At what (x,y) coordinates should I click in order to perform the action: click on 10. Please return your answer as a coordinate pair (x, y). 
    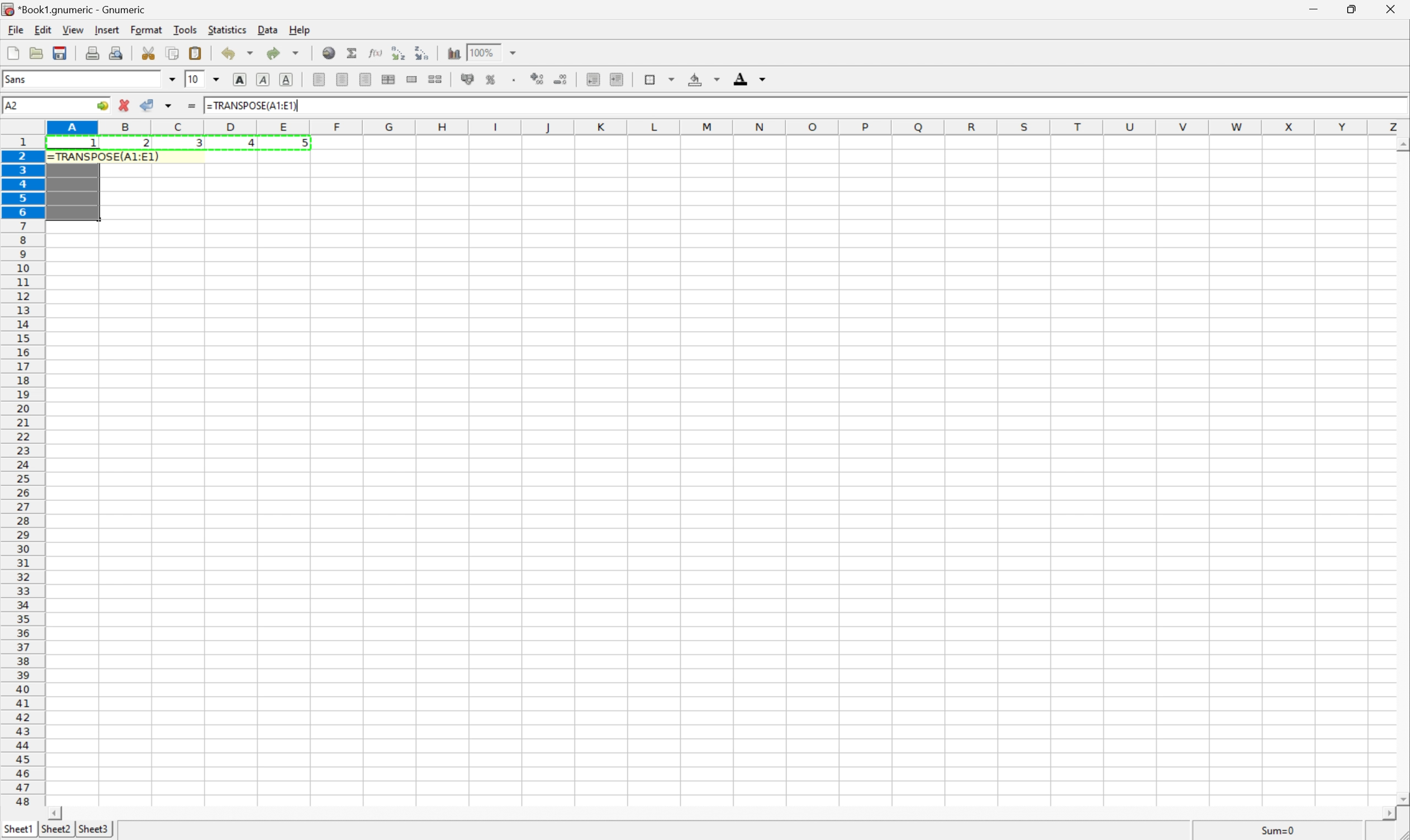
    Looking at the image, I should click on (194, 80).